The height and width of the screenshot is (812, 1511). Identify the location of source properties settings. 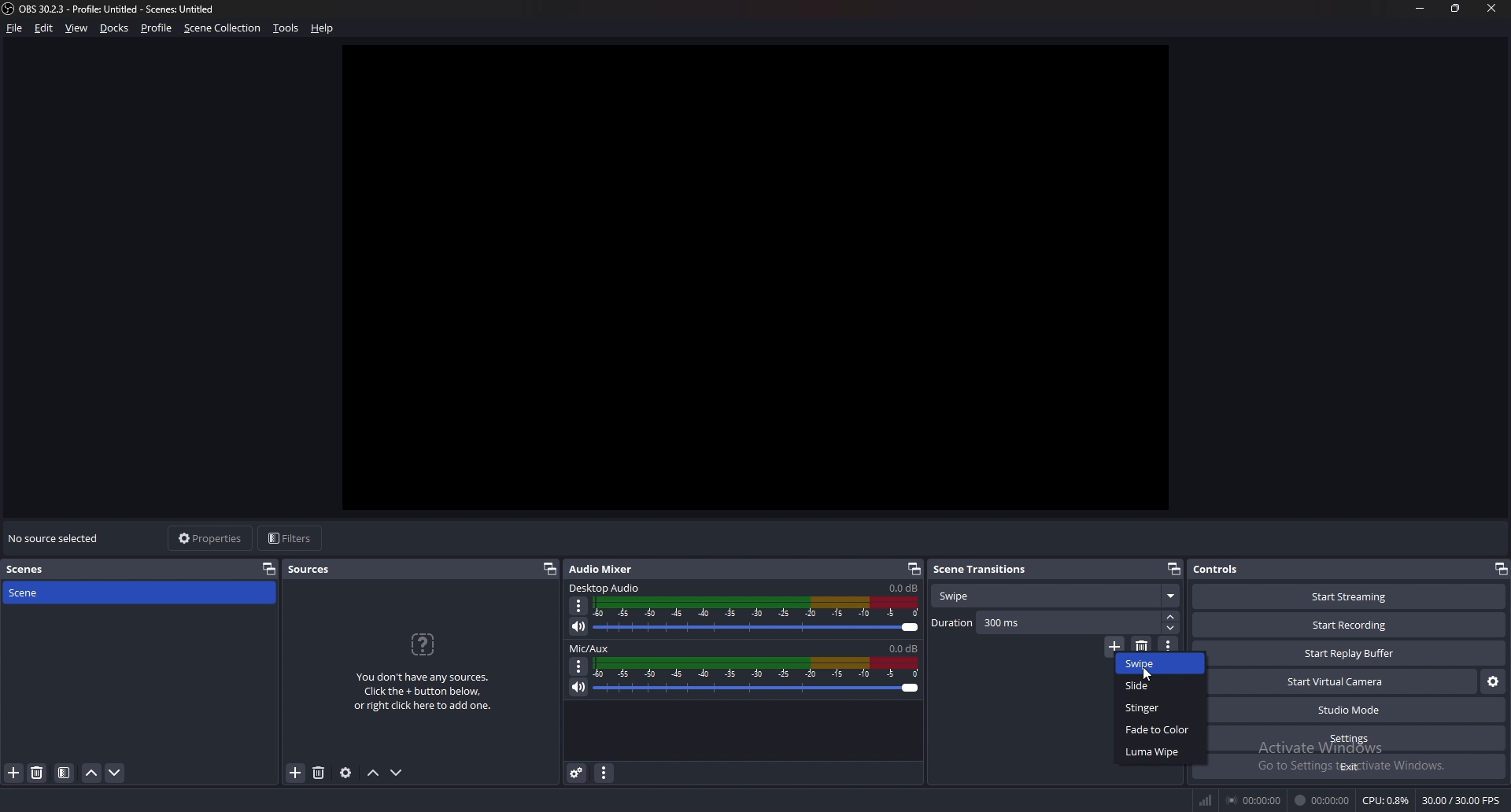
(347, 773).